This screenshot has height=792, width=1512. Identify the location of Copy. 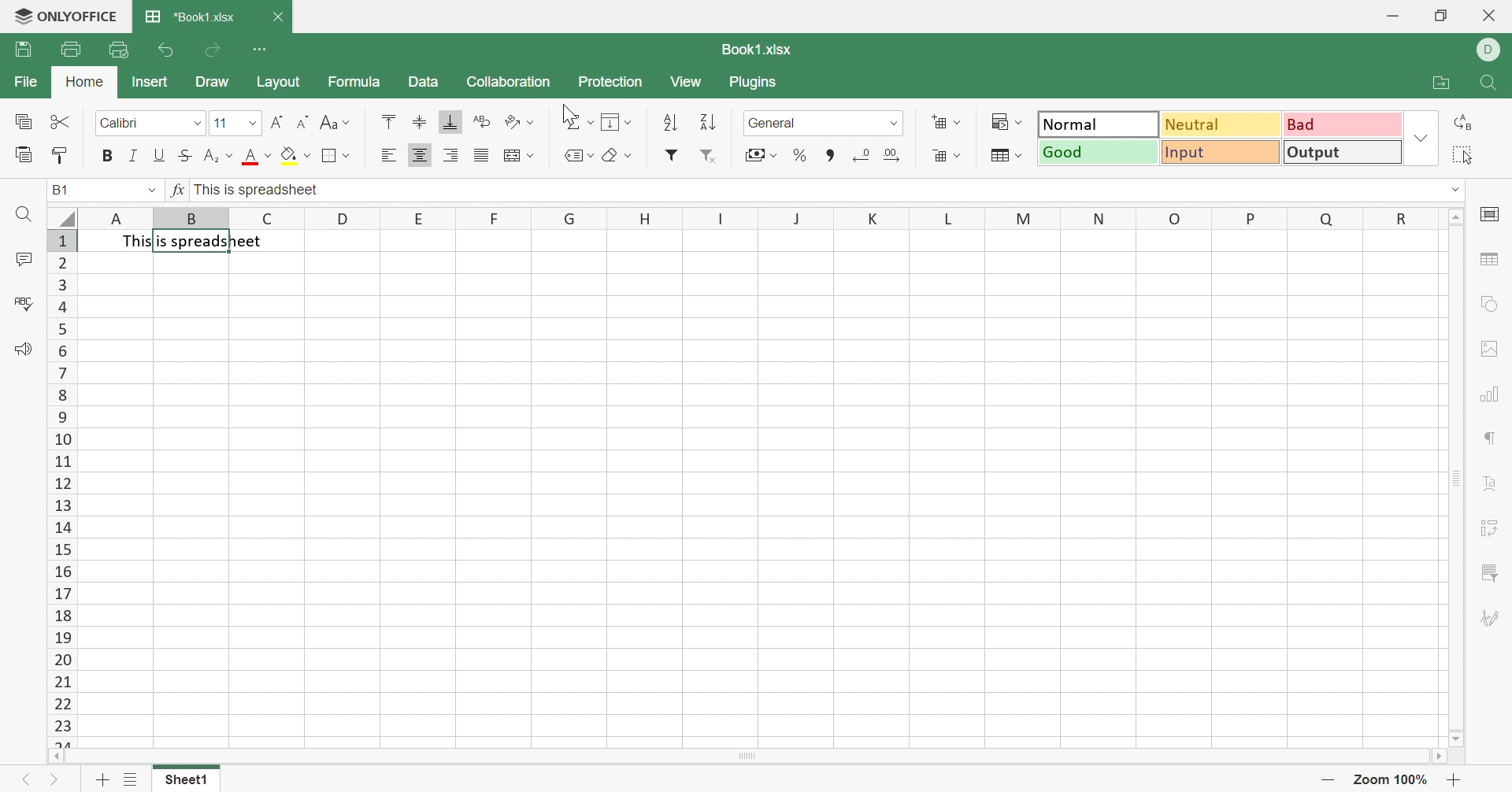
(22, 121).